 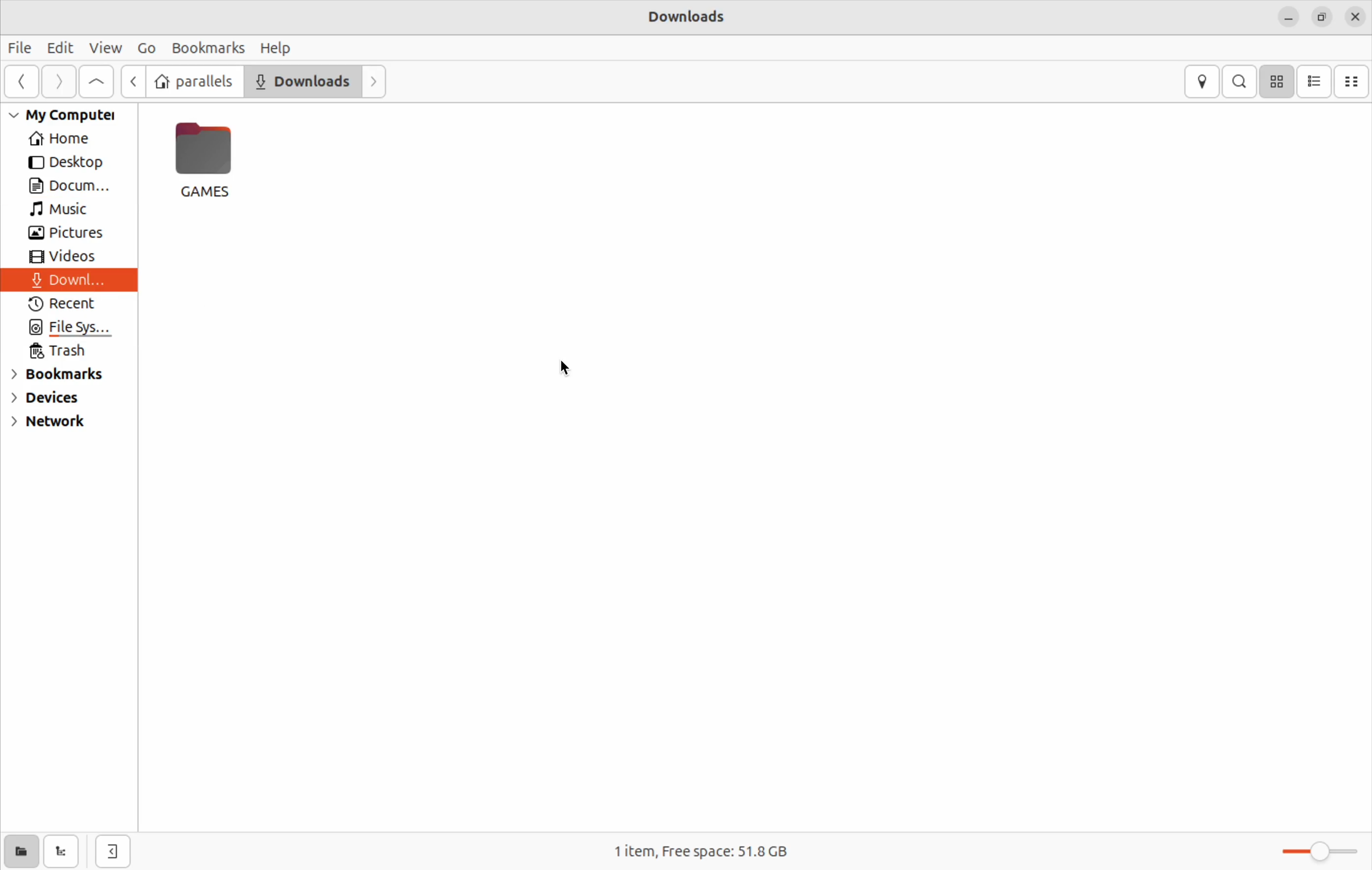 What do you see at coordinates (136, 81) in the screenshot?
I see `back` at bounding box center [136, 81].